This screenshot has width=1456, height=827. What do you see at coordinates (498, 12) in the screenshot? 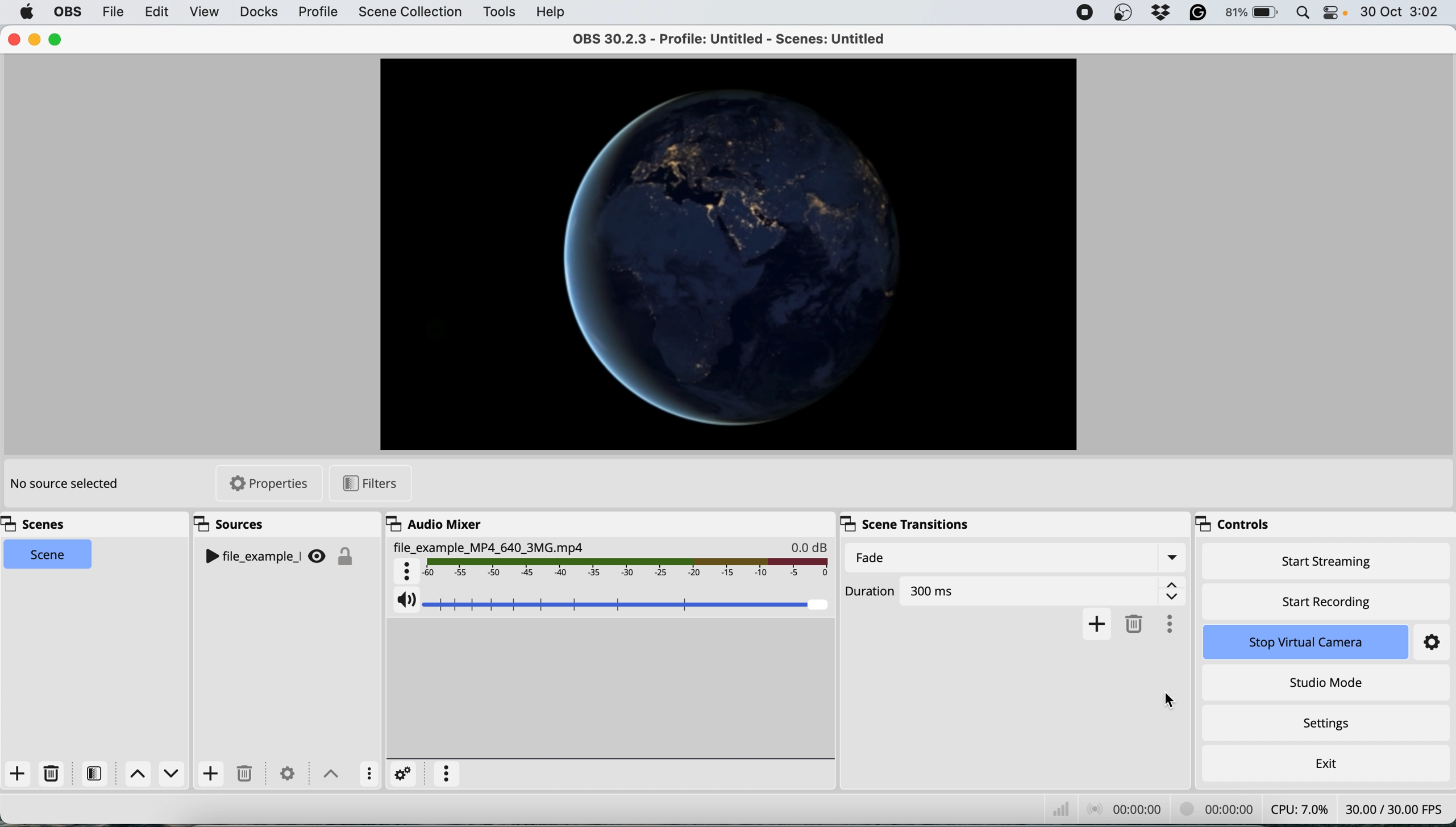
I see `tools` at bounding box center [498, 12].